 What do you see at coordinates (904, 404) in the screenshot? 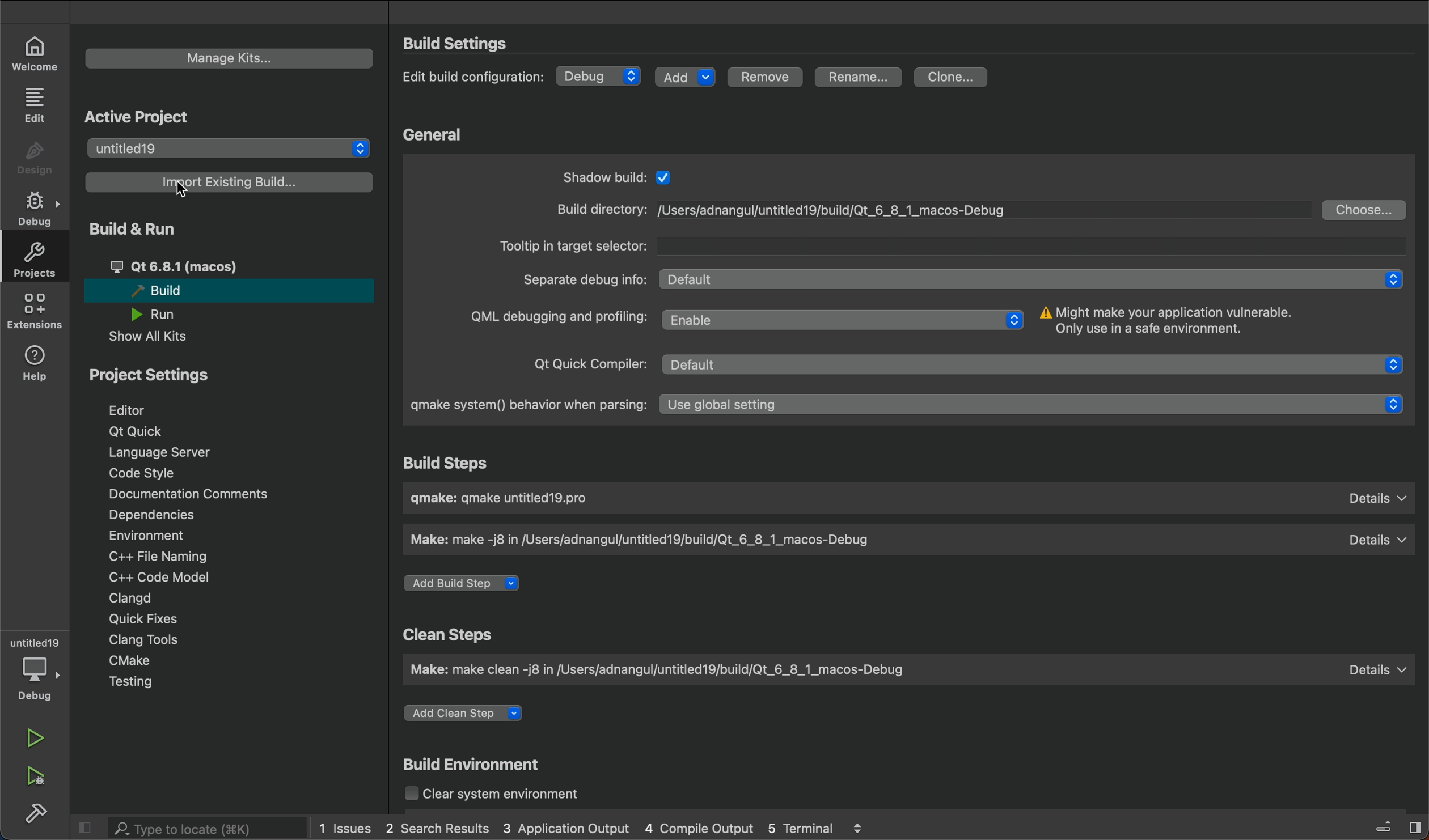
I see `qmake system` at bounding box center [904, 404].